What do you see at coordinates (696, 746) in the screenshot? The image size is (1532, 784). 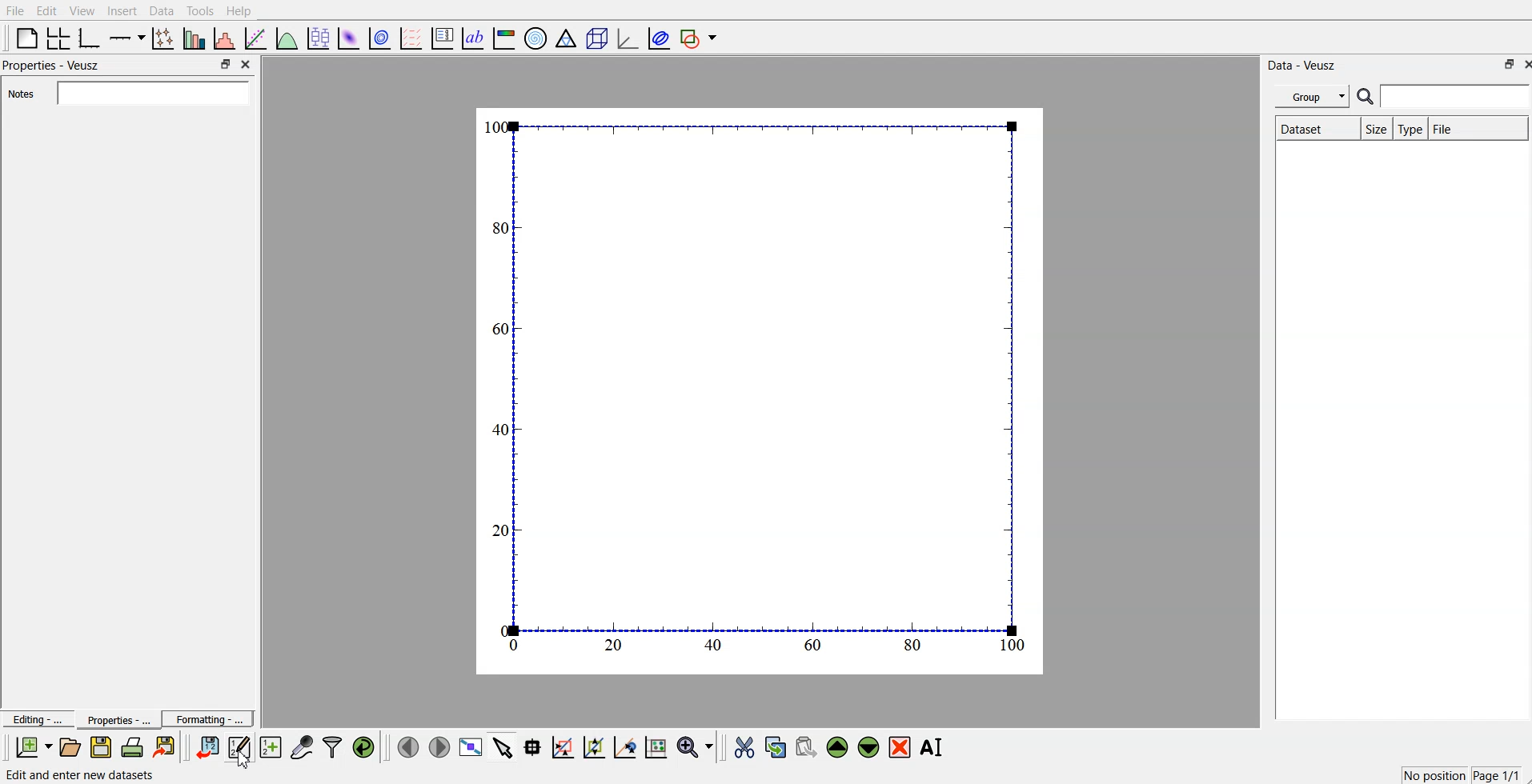 I see `Zoom function menu` at bounding box center [696, 746].